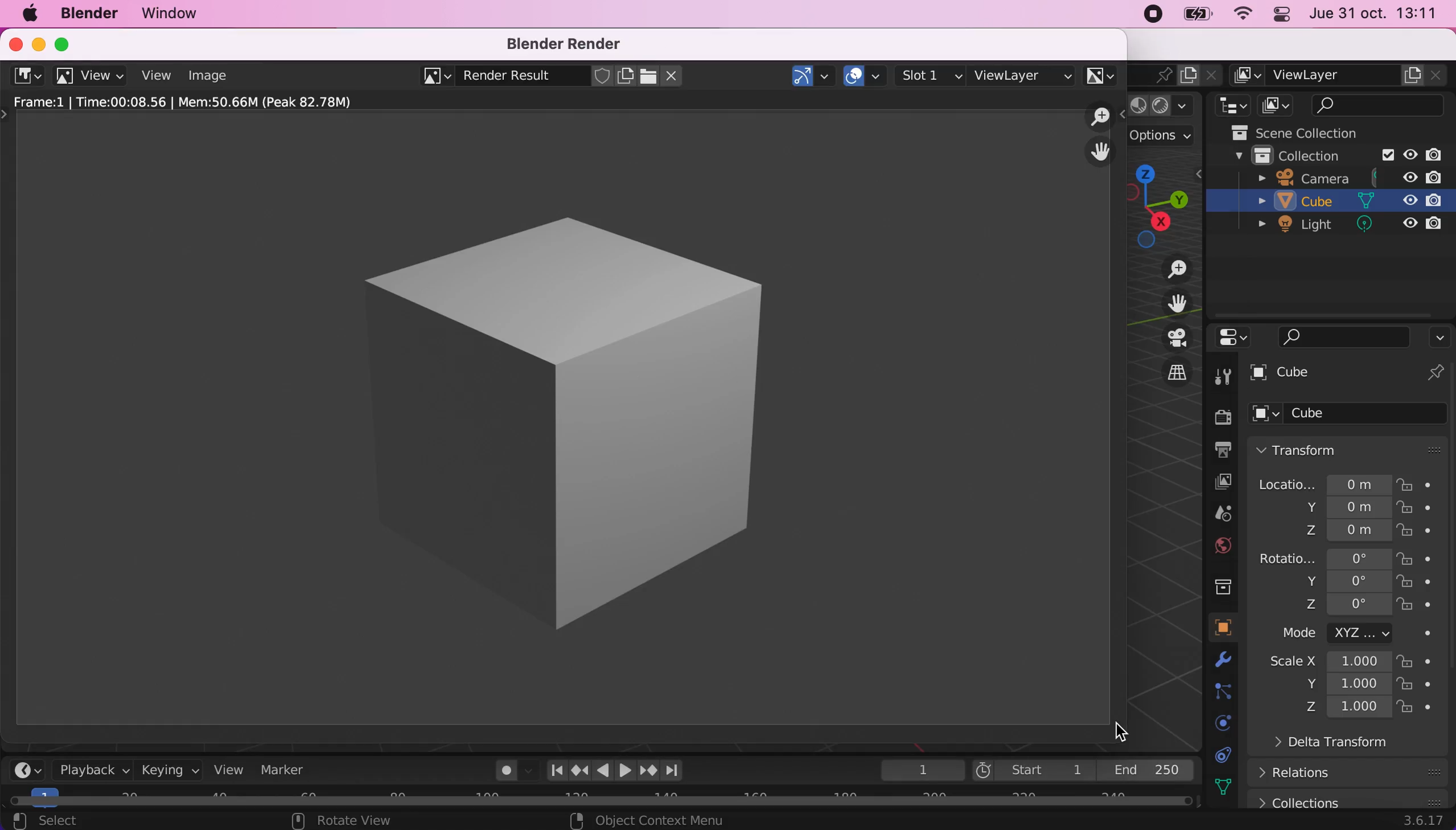 The image size is (1456, 830). What do you see at coordinates (1222, 418) in the screenshot?
I see `render` at bounding box center [1222, 418].